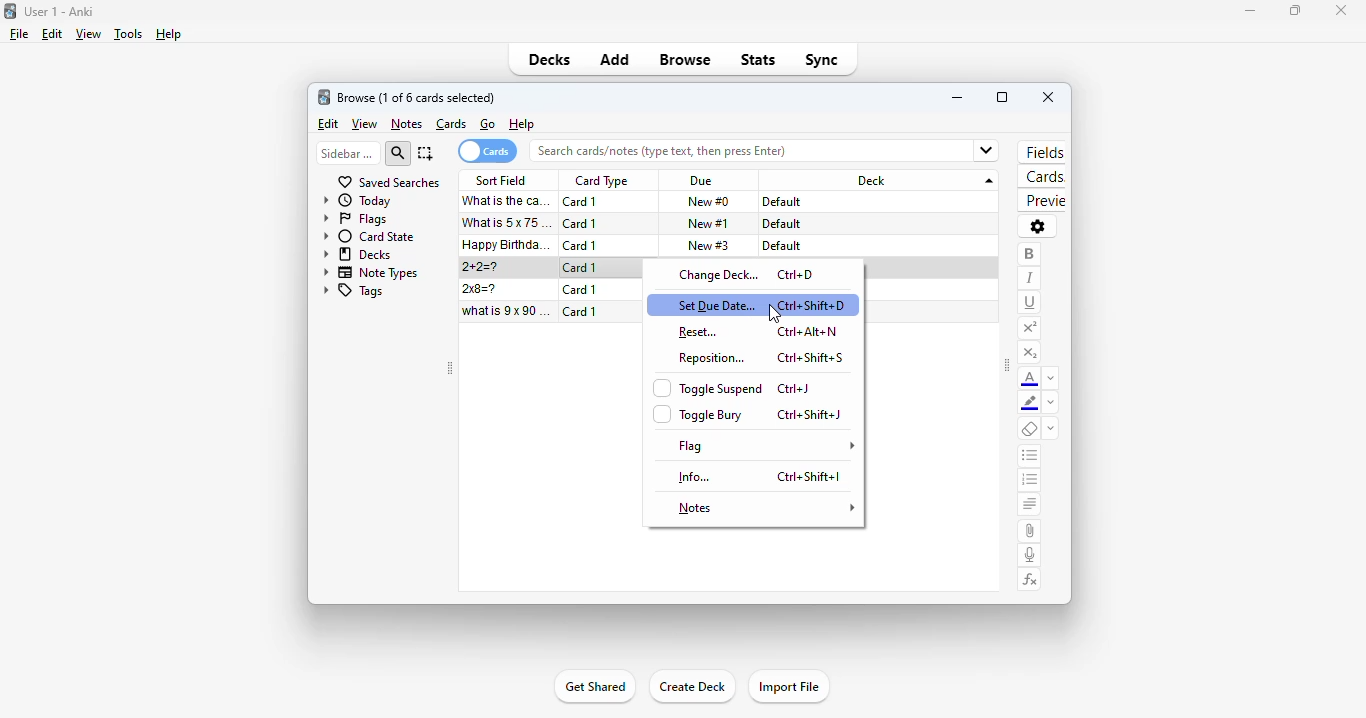  I want to click on toggle sidebar, so click(449, 369).